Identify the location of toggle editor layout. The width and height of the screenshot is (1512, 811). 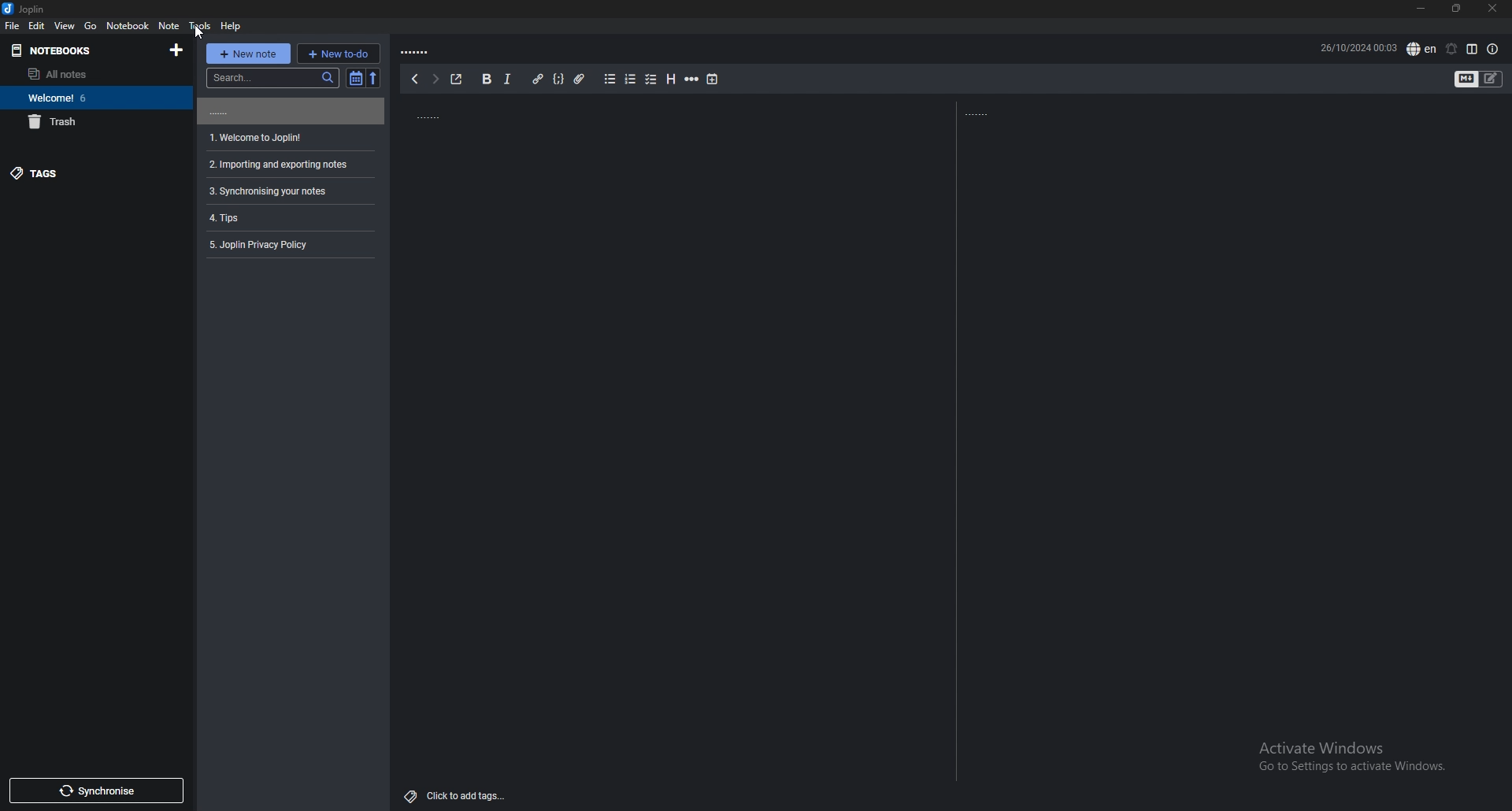
(1473, 49).